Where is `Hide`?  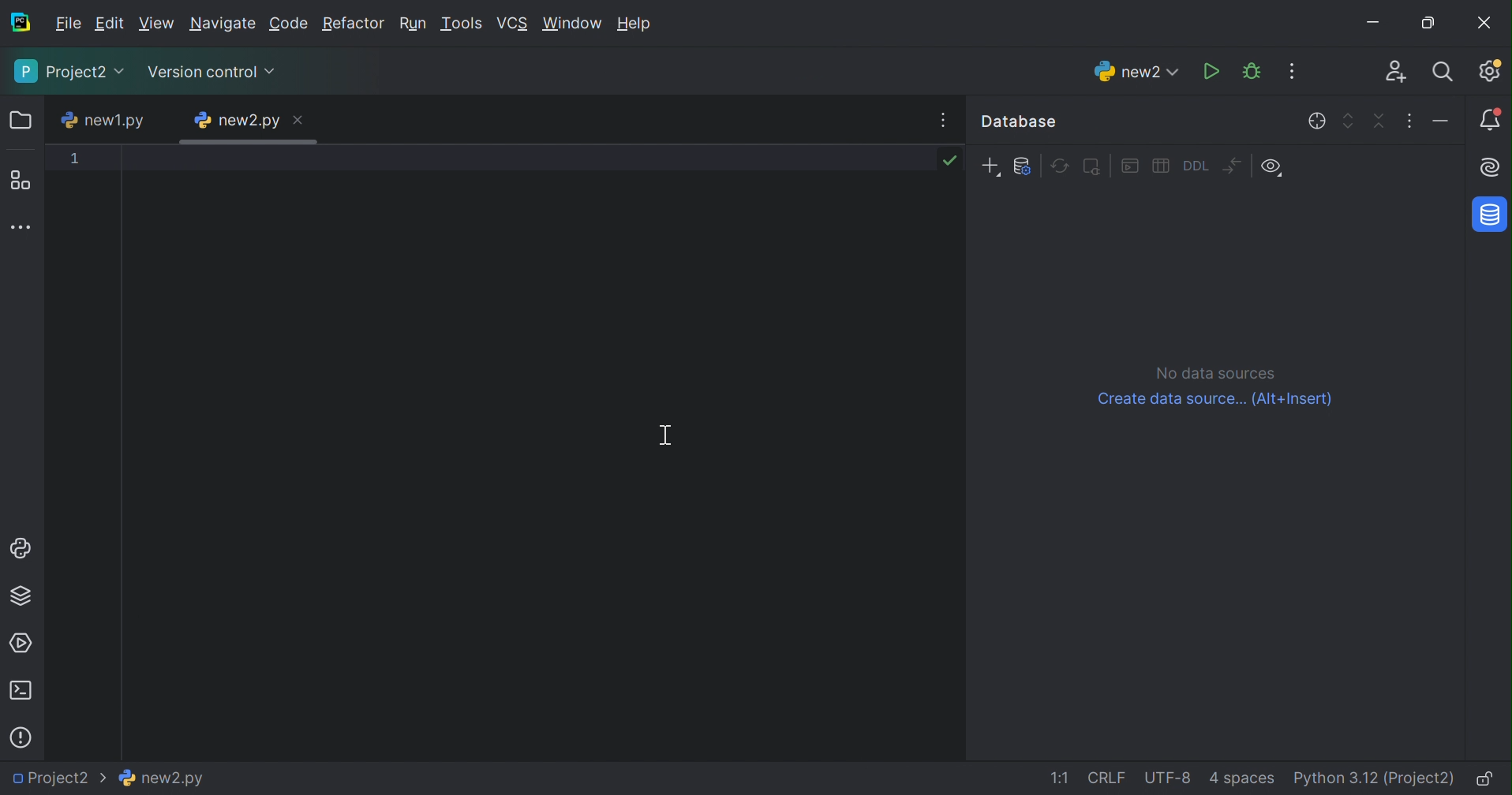
Hide is located at coordinates (1441, 118).